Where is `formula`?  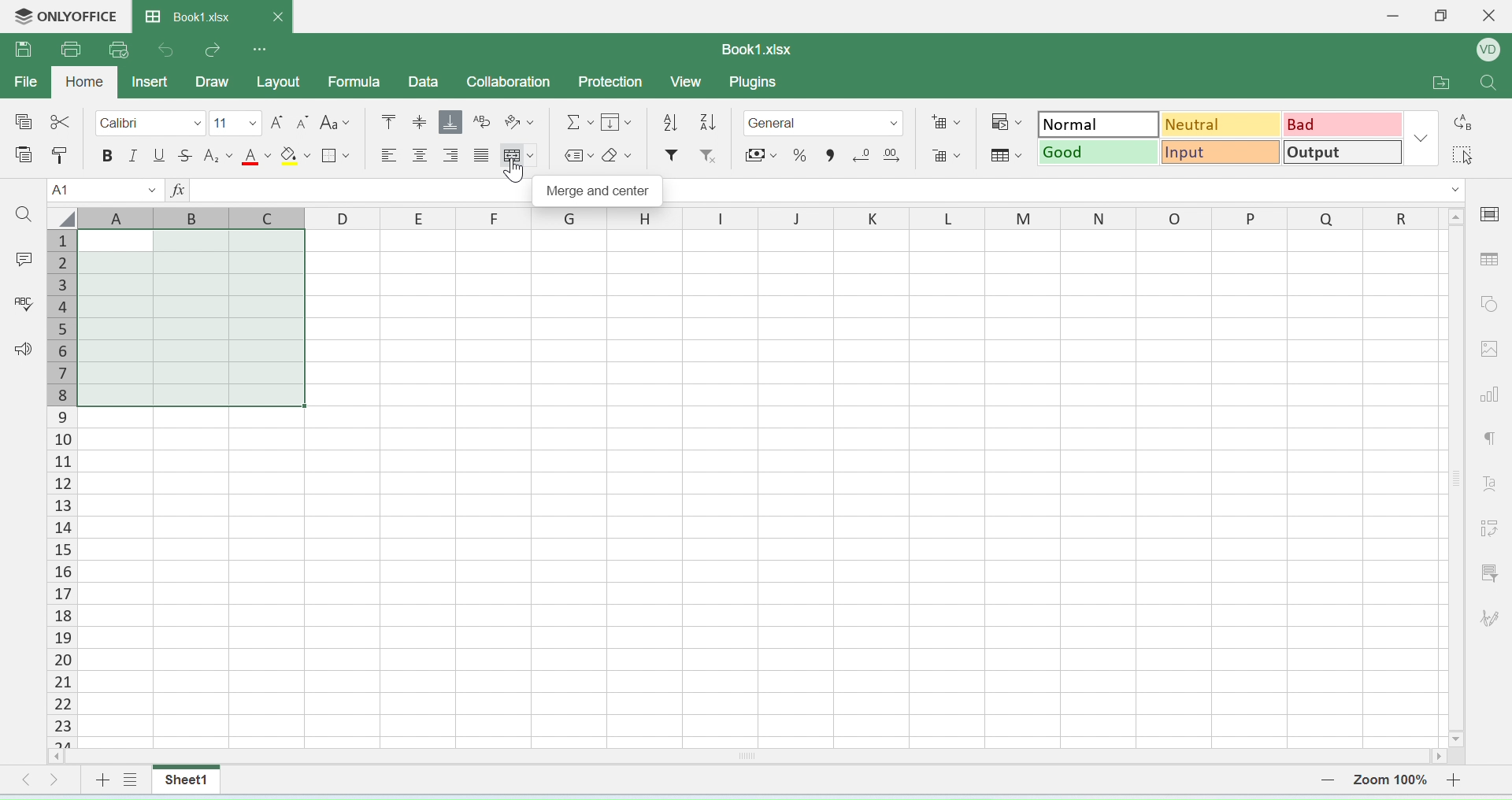
formula is located at coordinates (575, 123).